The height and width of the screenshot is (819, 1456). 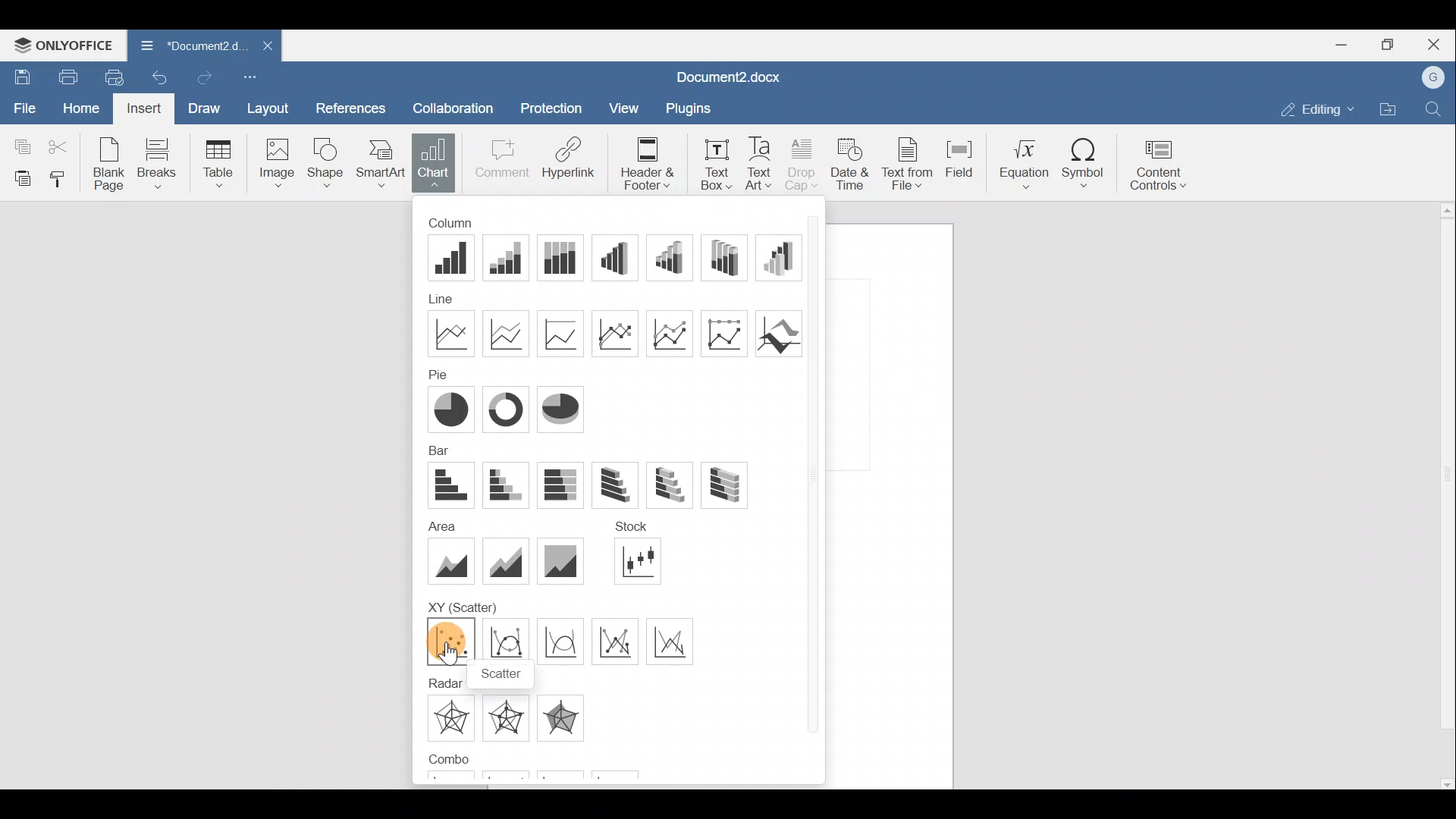 What do you see at coordinates (1434, 109) in the screenshot?
I see `Find` at bounding box center [1434, 109].